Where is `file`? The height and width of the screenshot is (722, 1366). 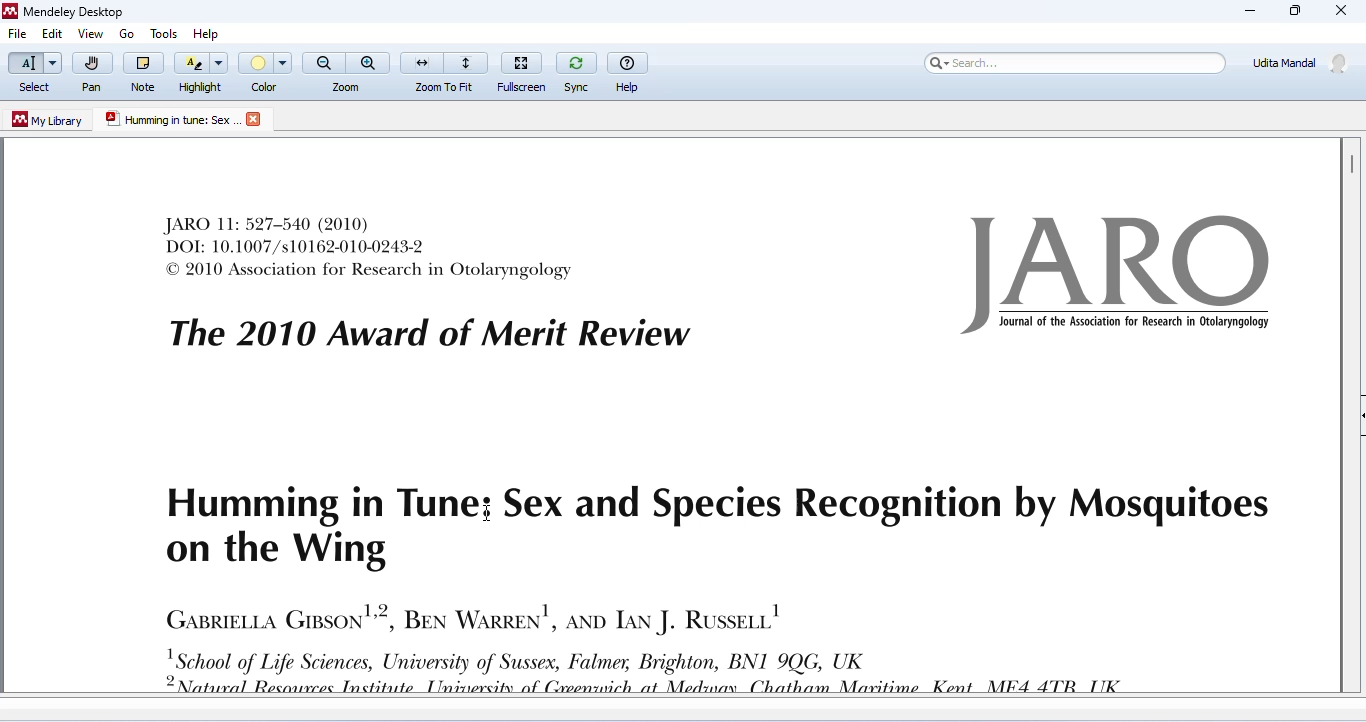 file is located at coordinates (18, 35).